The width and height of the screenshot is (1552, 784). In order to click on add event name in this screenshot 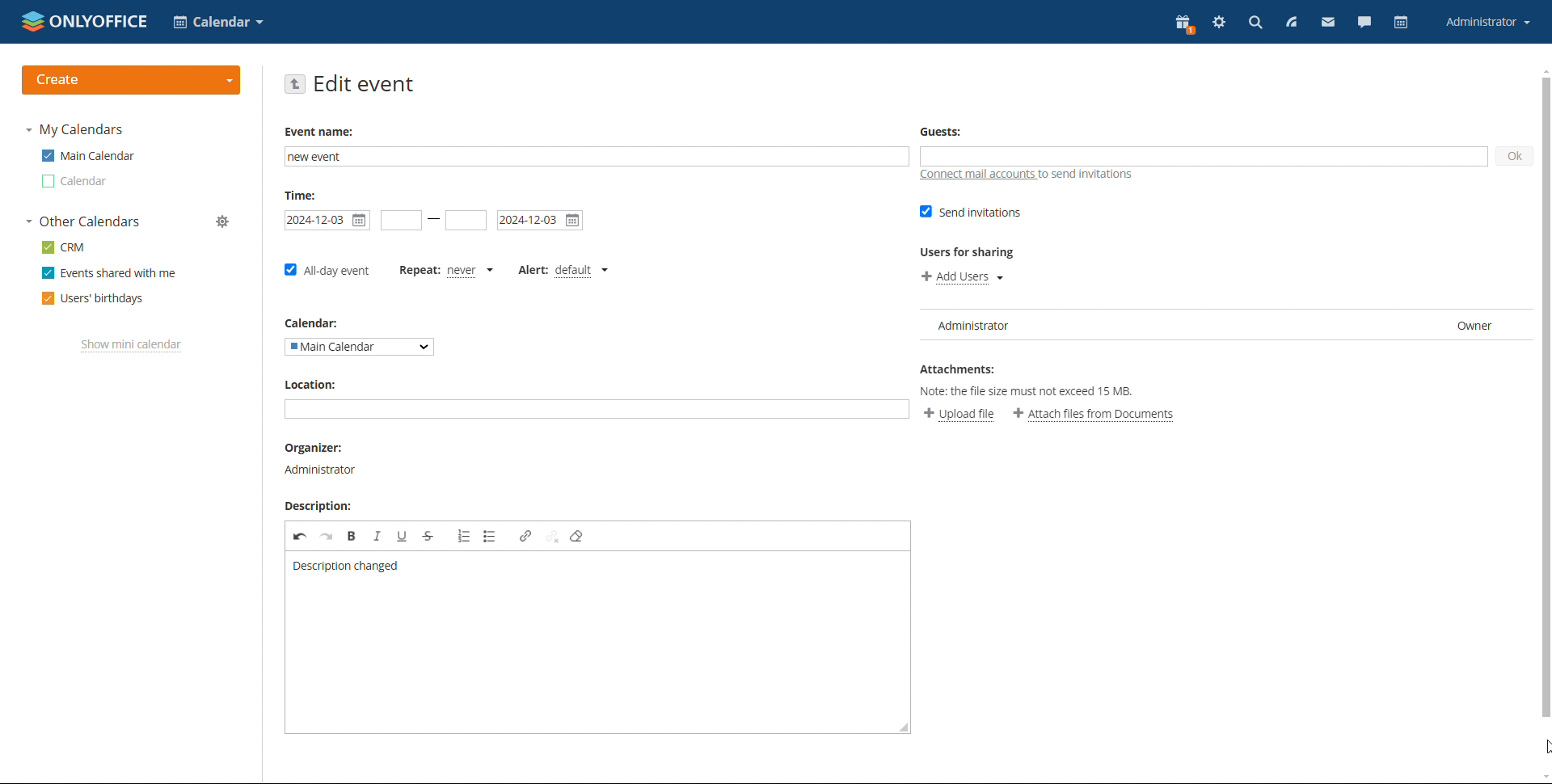, I will do `click(597, 158)`.